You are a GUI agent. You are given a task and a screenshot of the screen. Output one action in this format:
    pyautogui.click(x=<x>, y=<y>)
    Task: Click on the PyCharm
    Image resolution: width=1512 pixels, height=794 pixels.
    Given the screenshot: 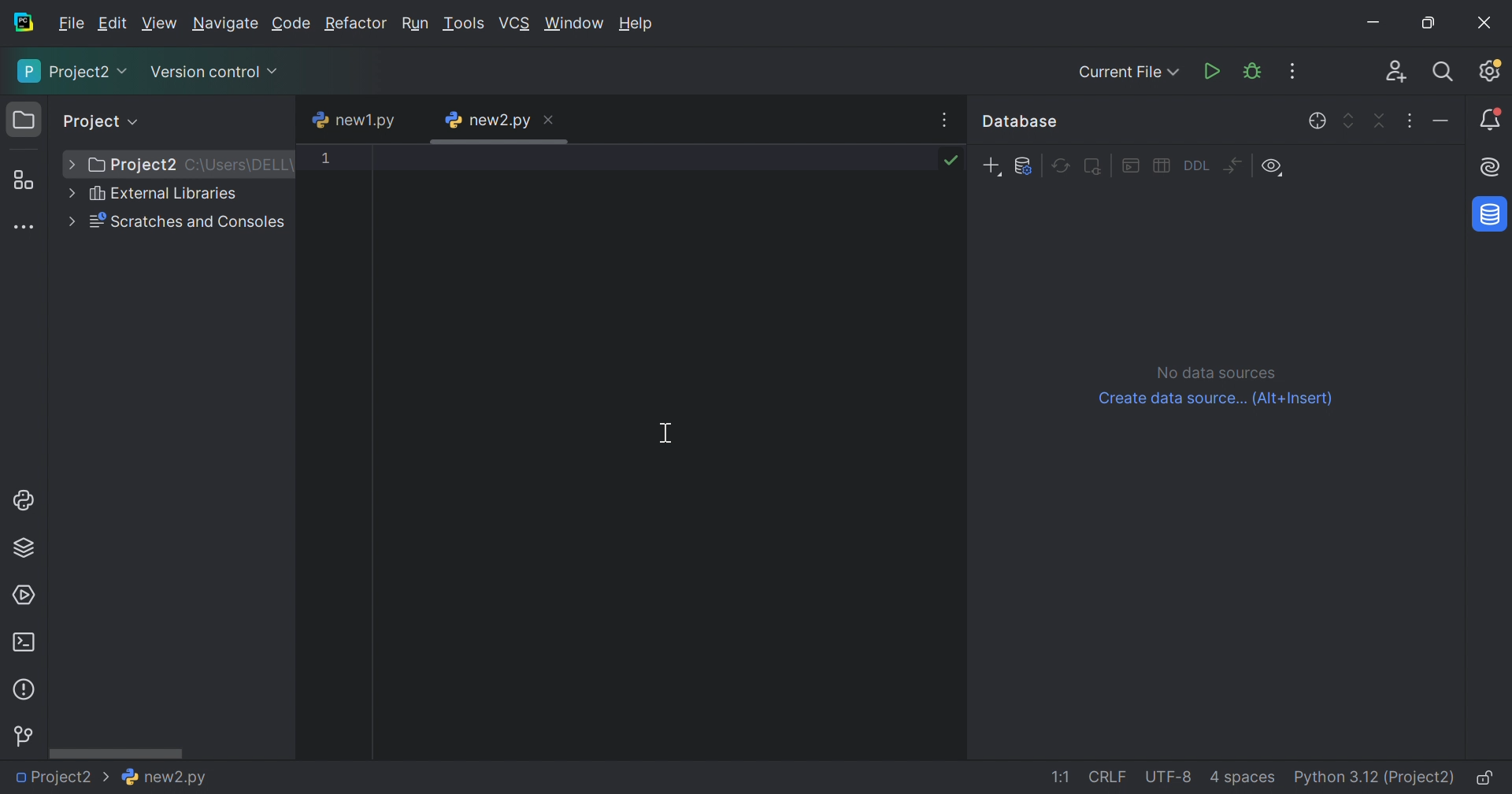 What is the action you would take?
    pyautogui.click(x=23, y=24)
    